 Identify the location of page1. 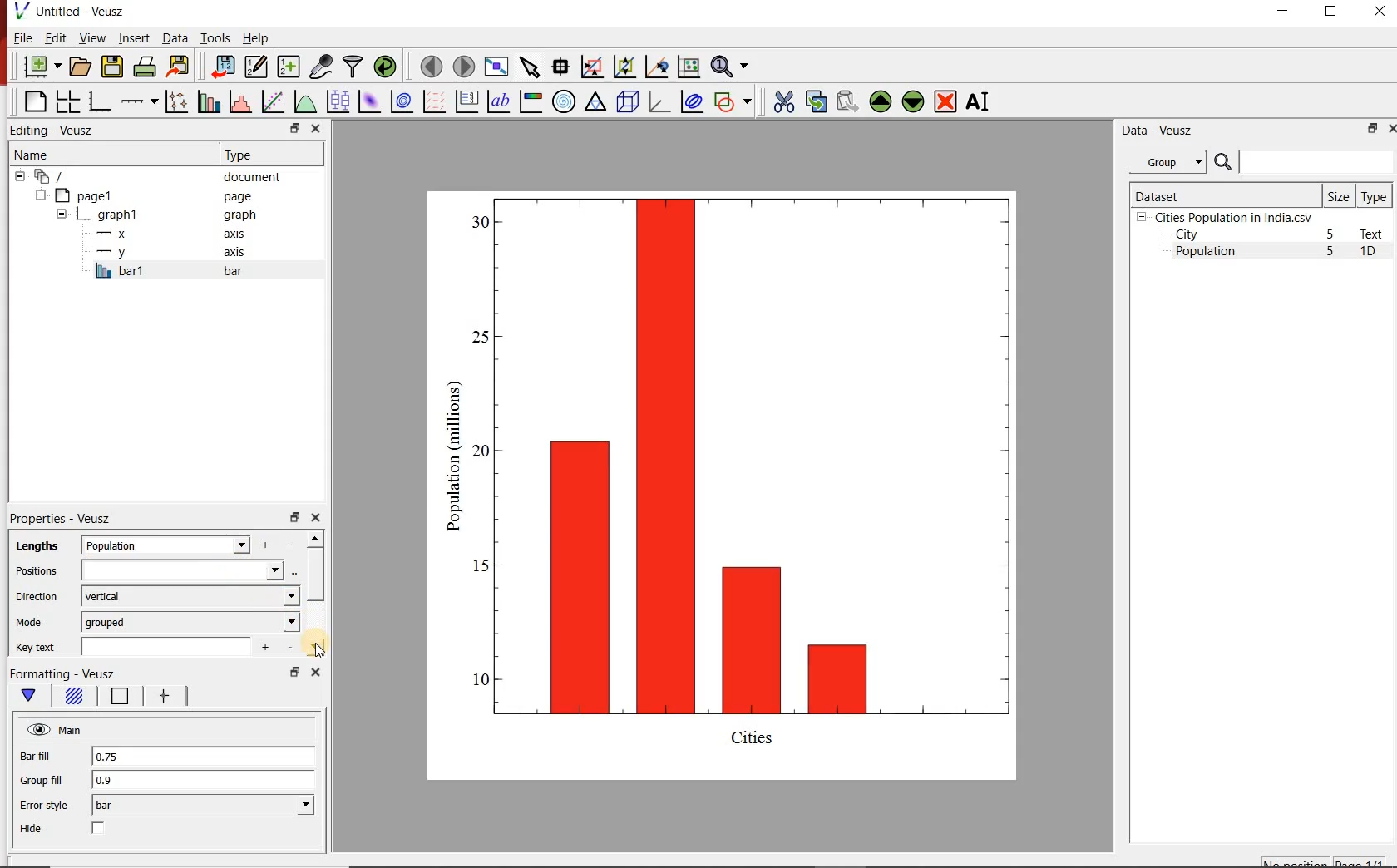
(149, 195).